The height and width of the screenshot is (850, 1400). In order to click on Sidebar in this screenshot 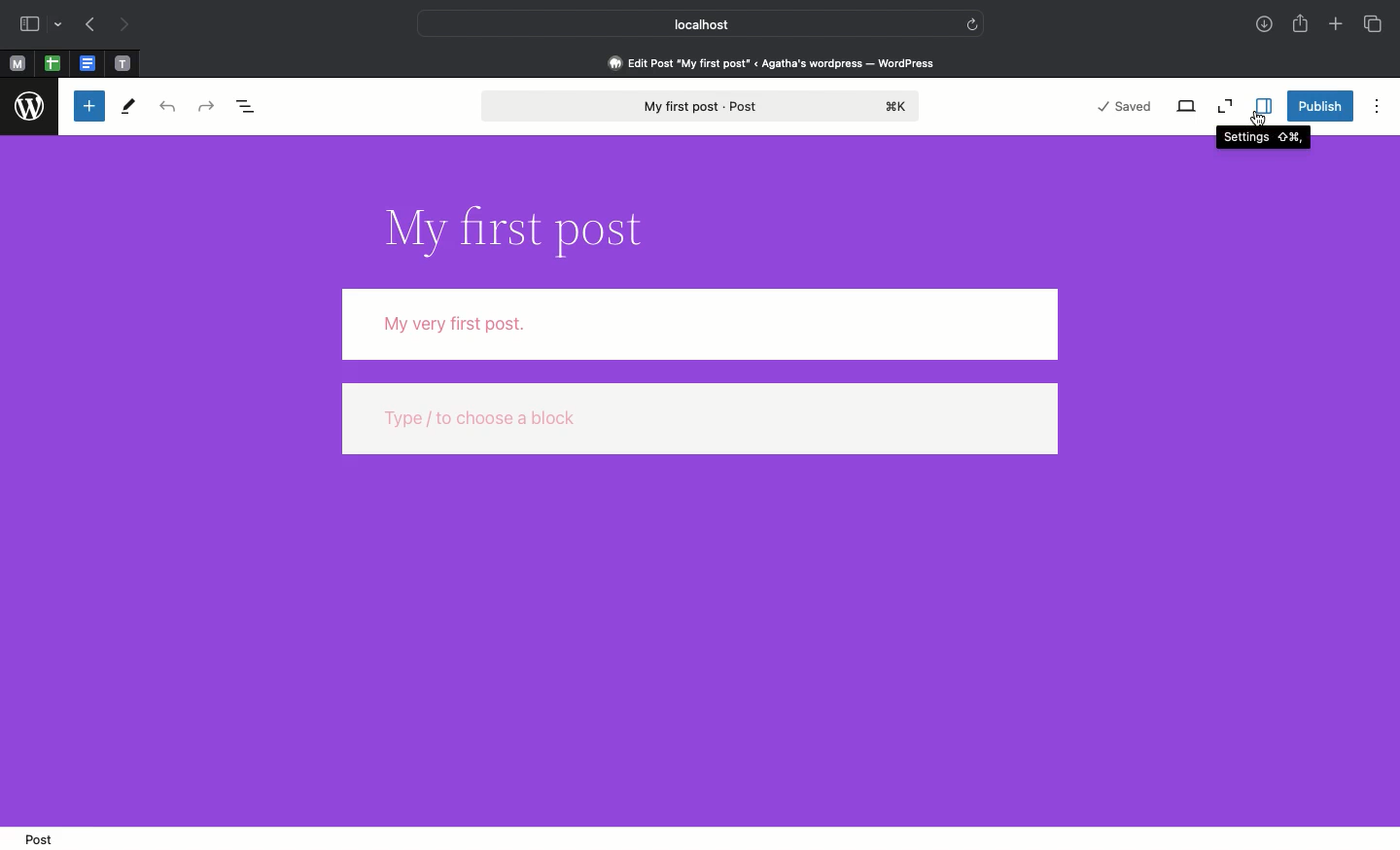, I will do `click(28, 23)`.